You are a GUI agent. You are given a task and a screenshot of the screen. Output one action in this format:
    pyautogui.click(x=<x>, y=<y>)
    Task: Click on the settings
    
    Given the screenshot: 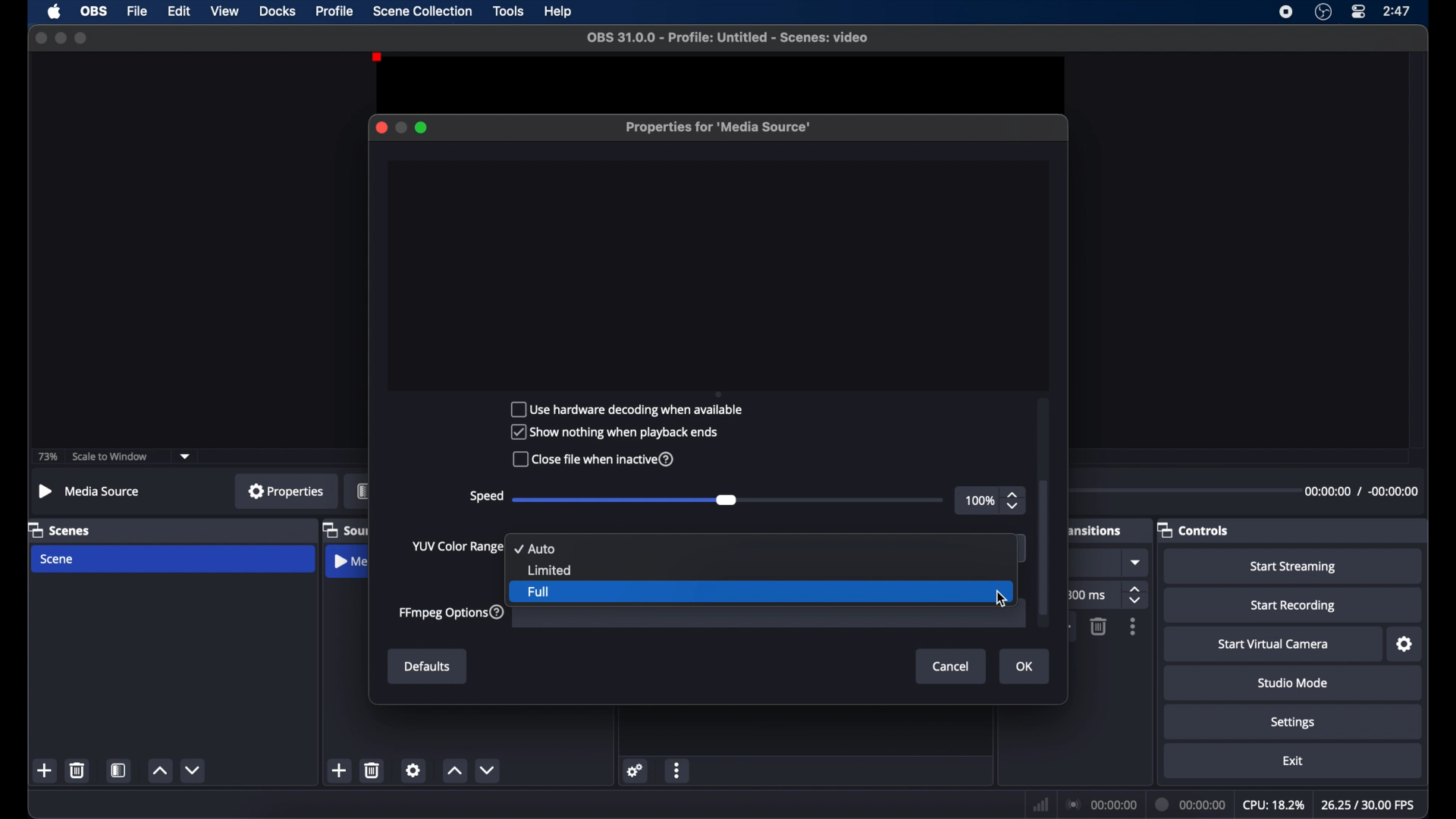 What is the action you would take?
    pyautogui.click(x=1293, y=723)
    